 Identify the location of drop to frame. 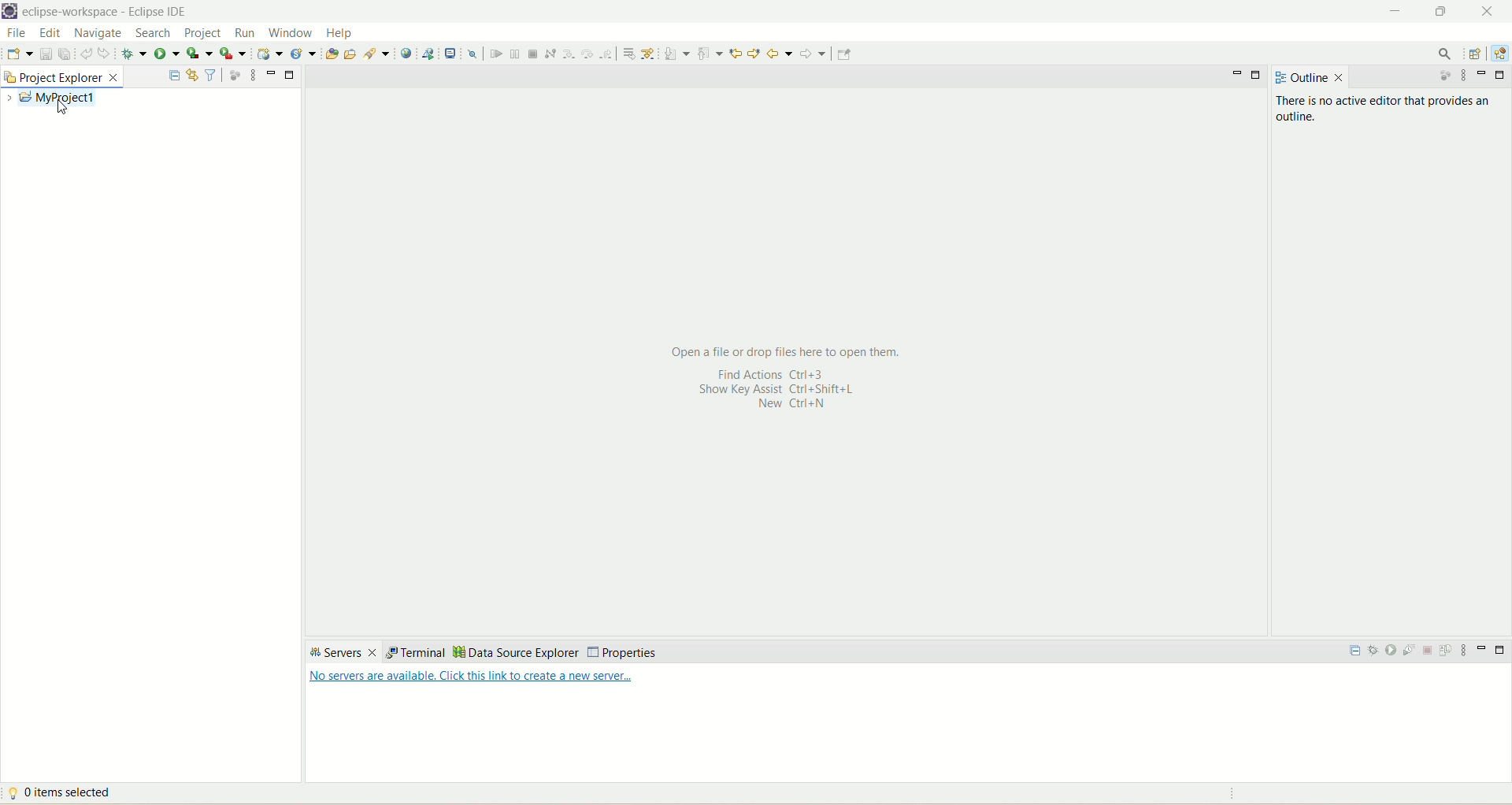
(630, 54).